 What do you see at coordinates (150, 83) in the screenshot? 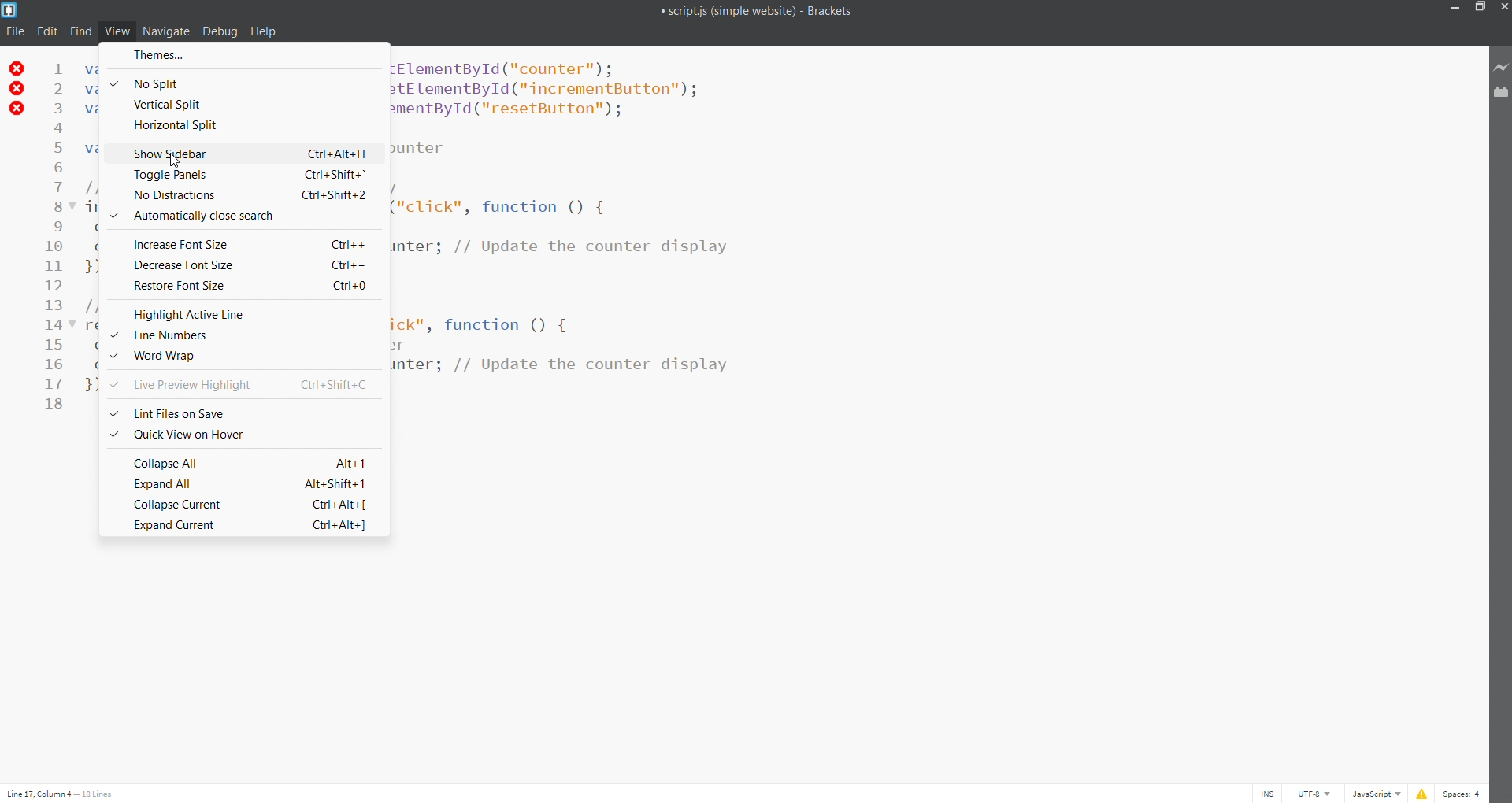
I see `no split` at bounding box center [150, 83].